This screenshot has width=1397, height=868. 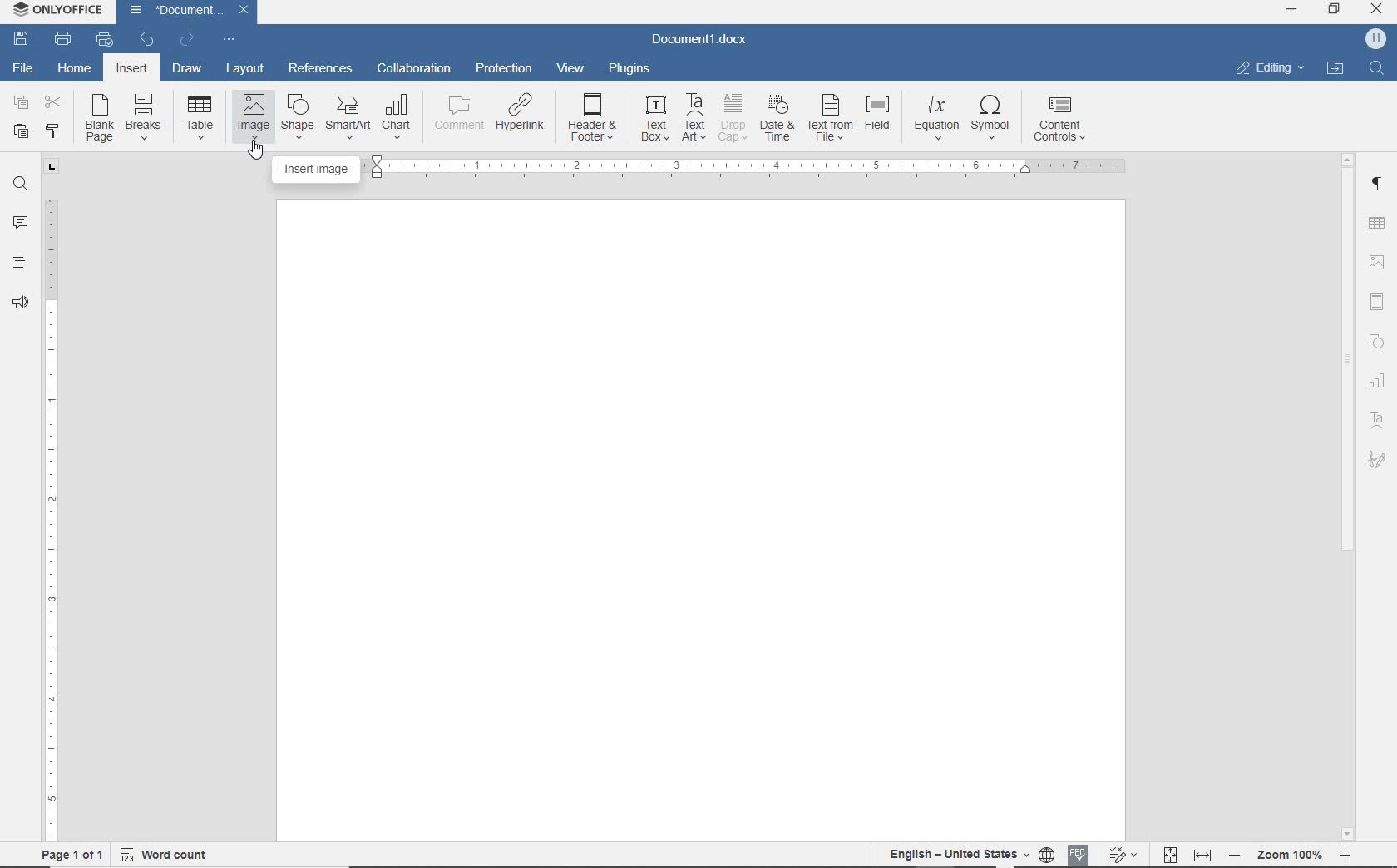 What do you see at coordinates (958, 856) in the screenshot?
I see `English- United States(text language)` at bounding box center [958, 856].